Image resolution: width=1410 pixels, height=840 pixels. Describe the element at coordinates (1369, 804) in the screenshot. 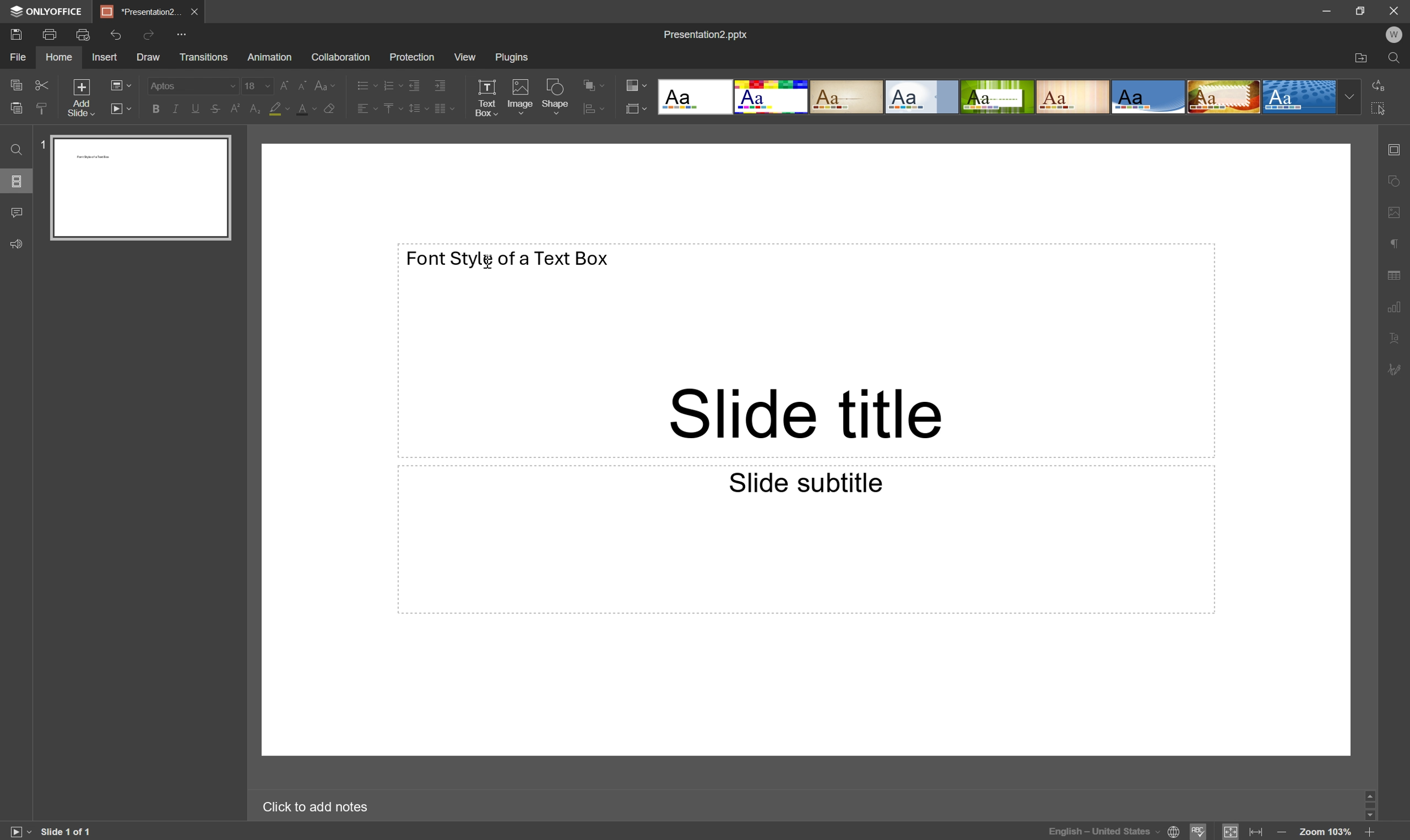

I see `Scroll Bar` at that location.